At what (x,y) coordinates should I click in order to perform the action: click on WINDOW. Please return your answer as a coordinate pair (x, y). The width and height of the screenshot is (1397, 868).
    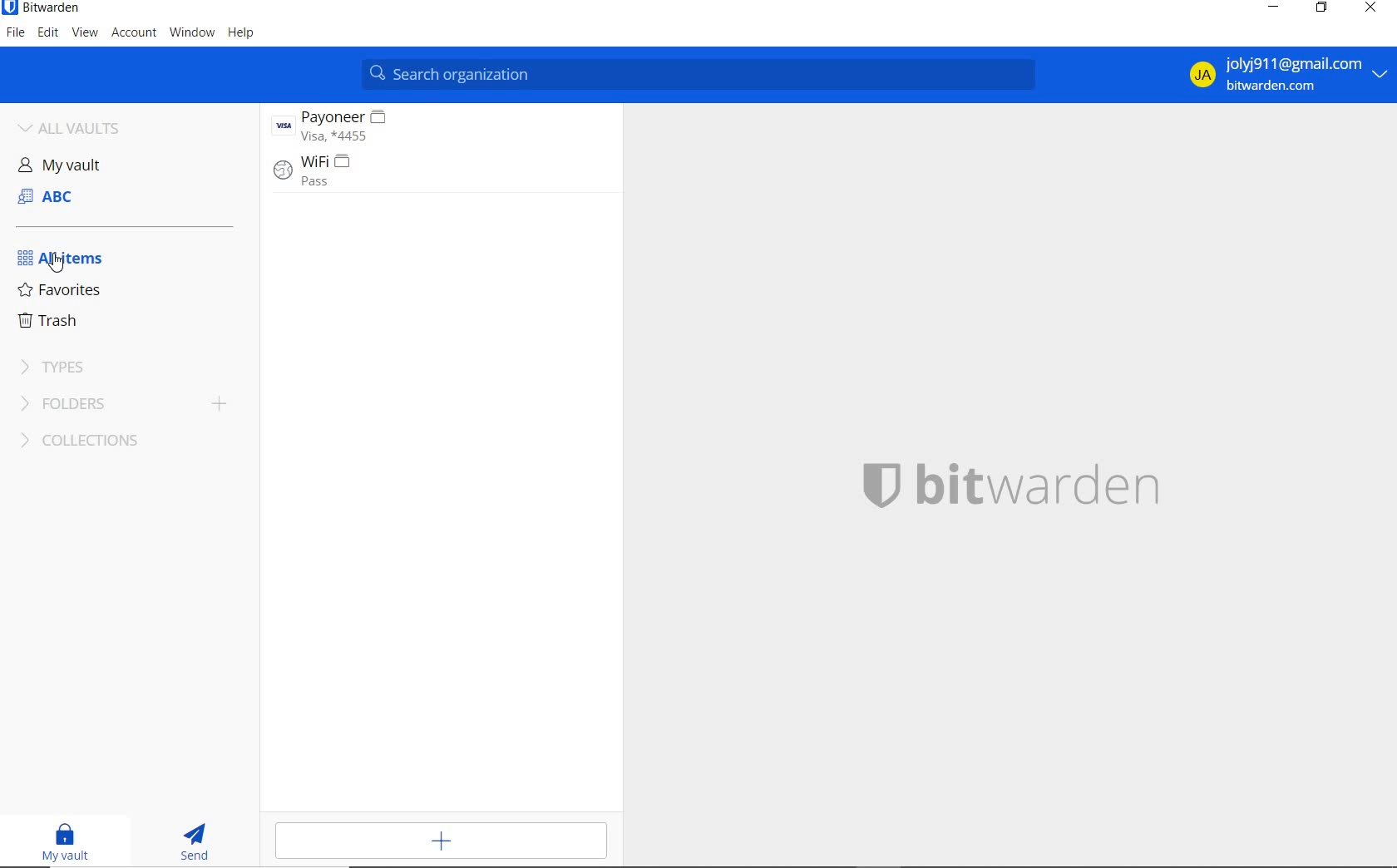
    Looking at the image, I should click on (191, 33).